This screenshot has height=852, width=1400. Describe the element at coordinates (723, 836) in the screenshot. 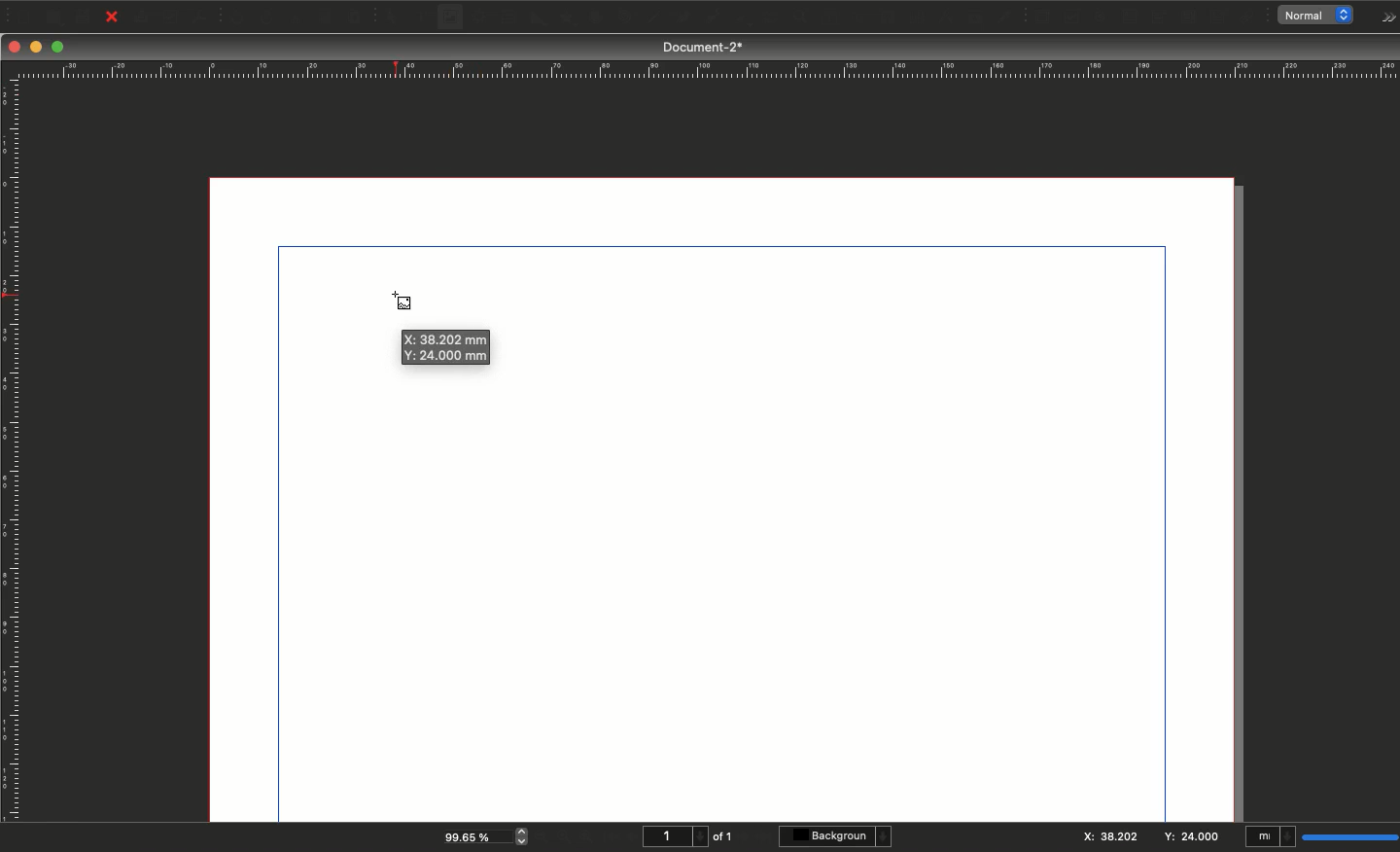

I see `of 1` at that location.